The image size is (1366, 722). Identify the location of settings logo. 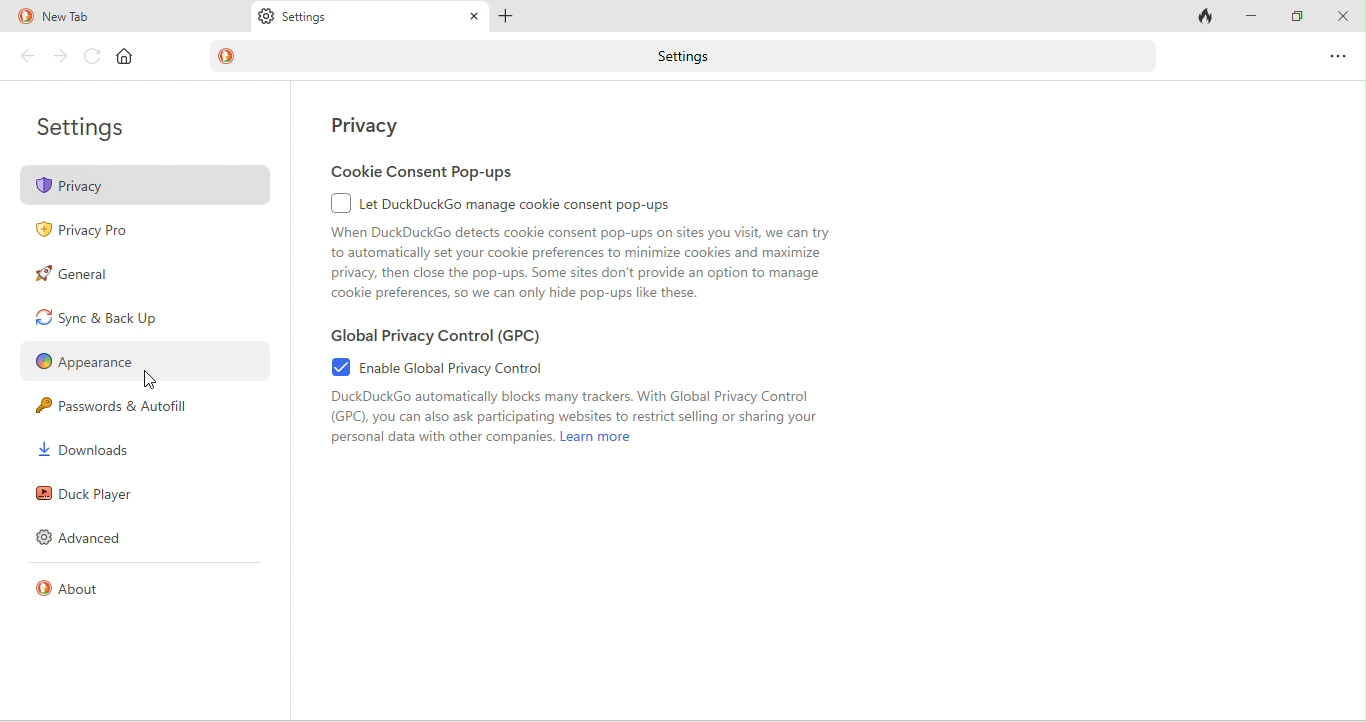
(266, 19).